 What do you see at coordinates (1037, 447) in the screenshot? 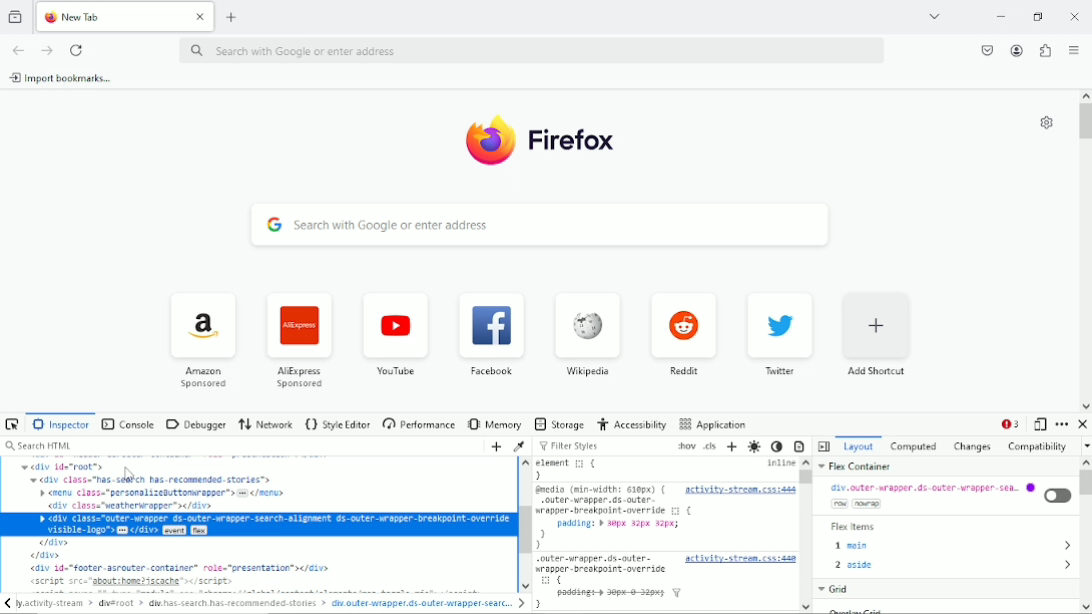
I see `Compatibility` at bounding box center [1037, 447].